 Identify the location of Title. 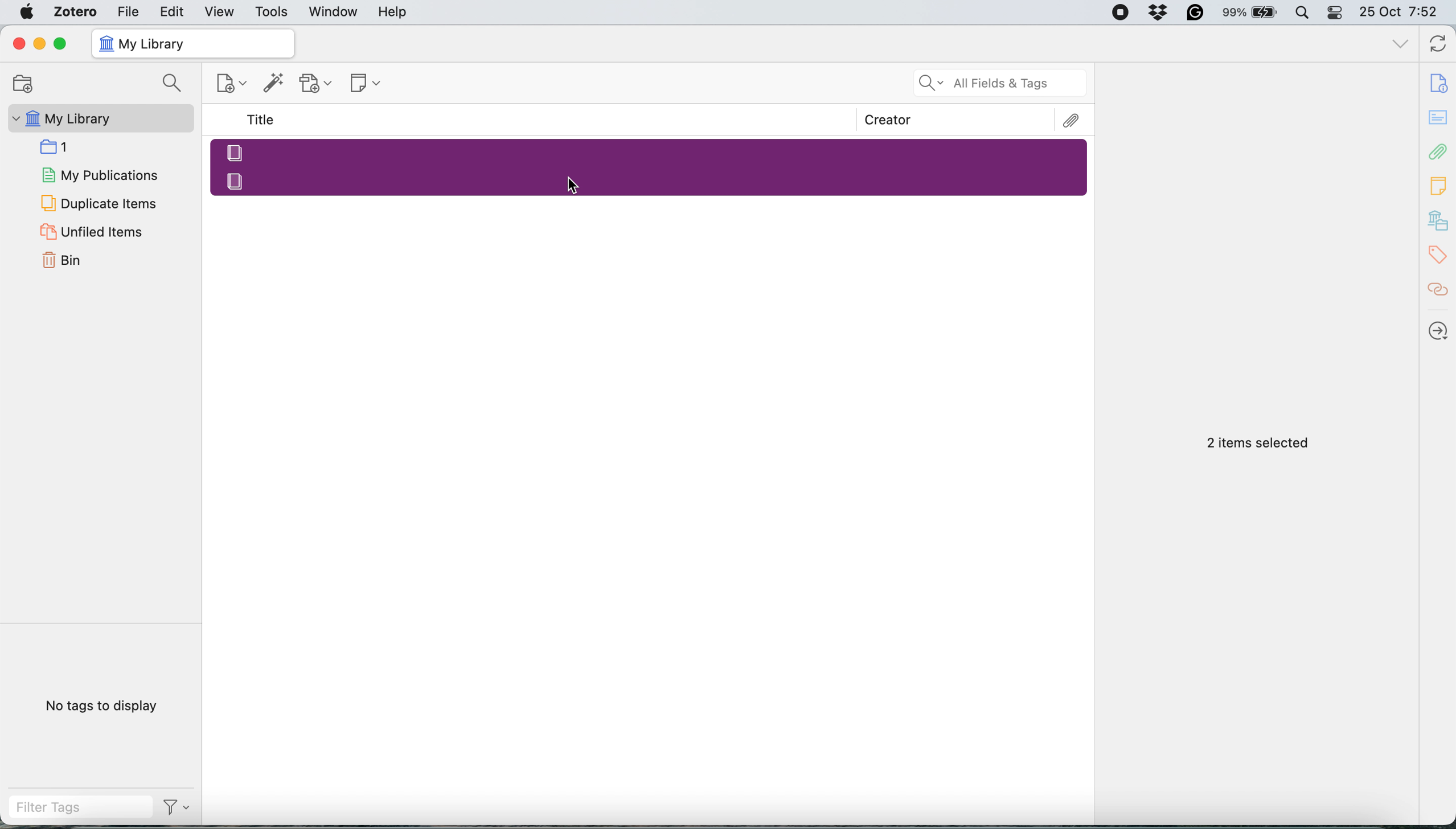
(263, 120).